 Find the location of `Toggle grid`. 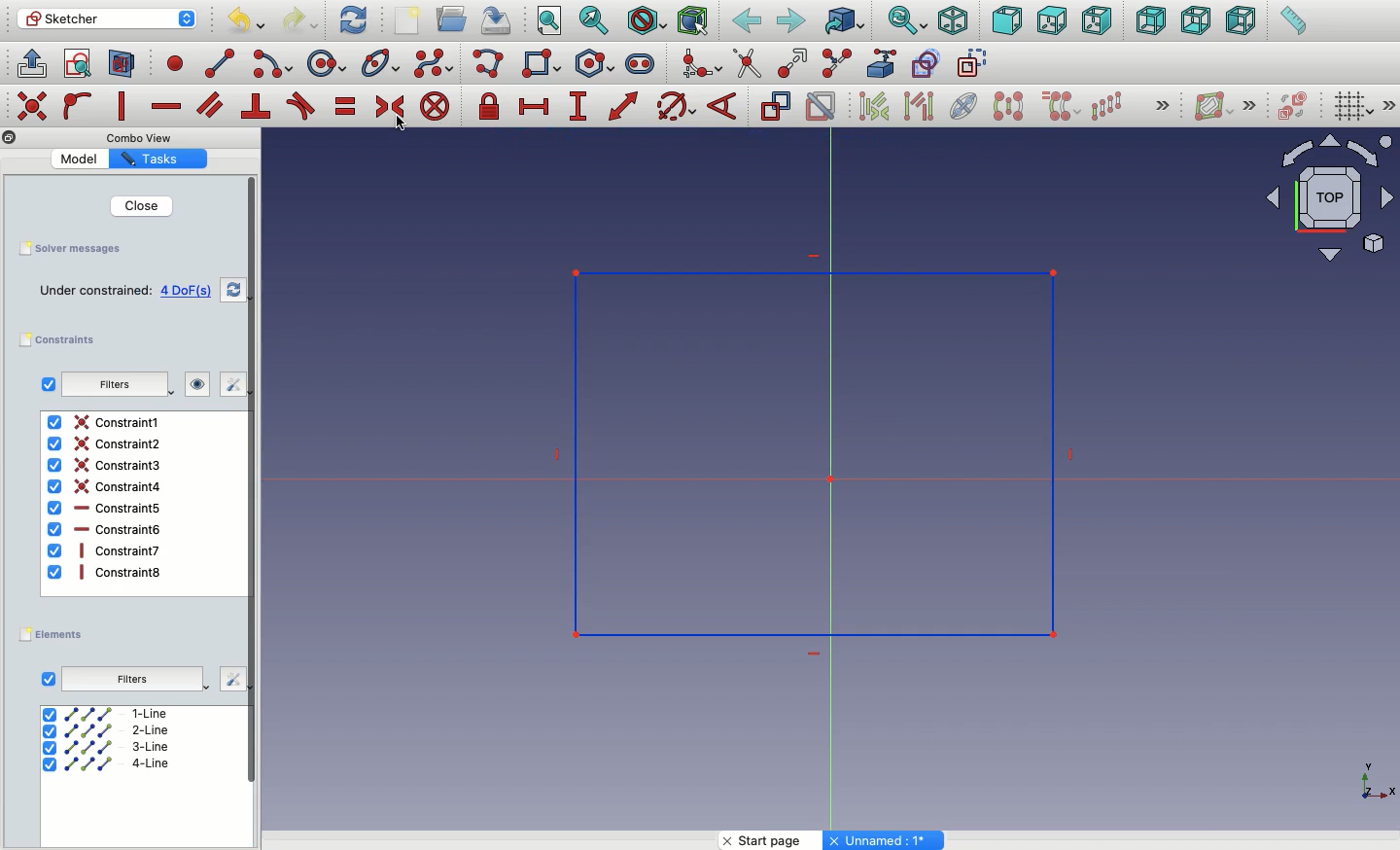

Toggle grid is located at coordinates (1351, 105).